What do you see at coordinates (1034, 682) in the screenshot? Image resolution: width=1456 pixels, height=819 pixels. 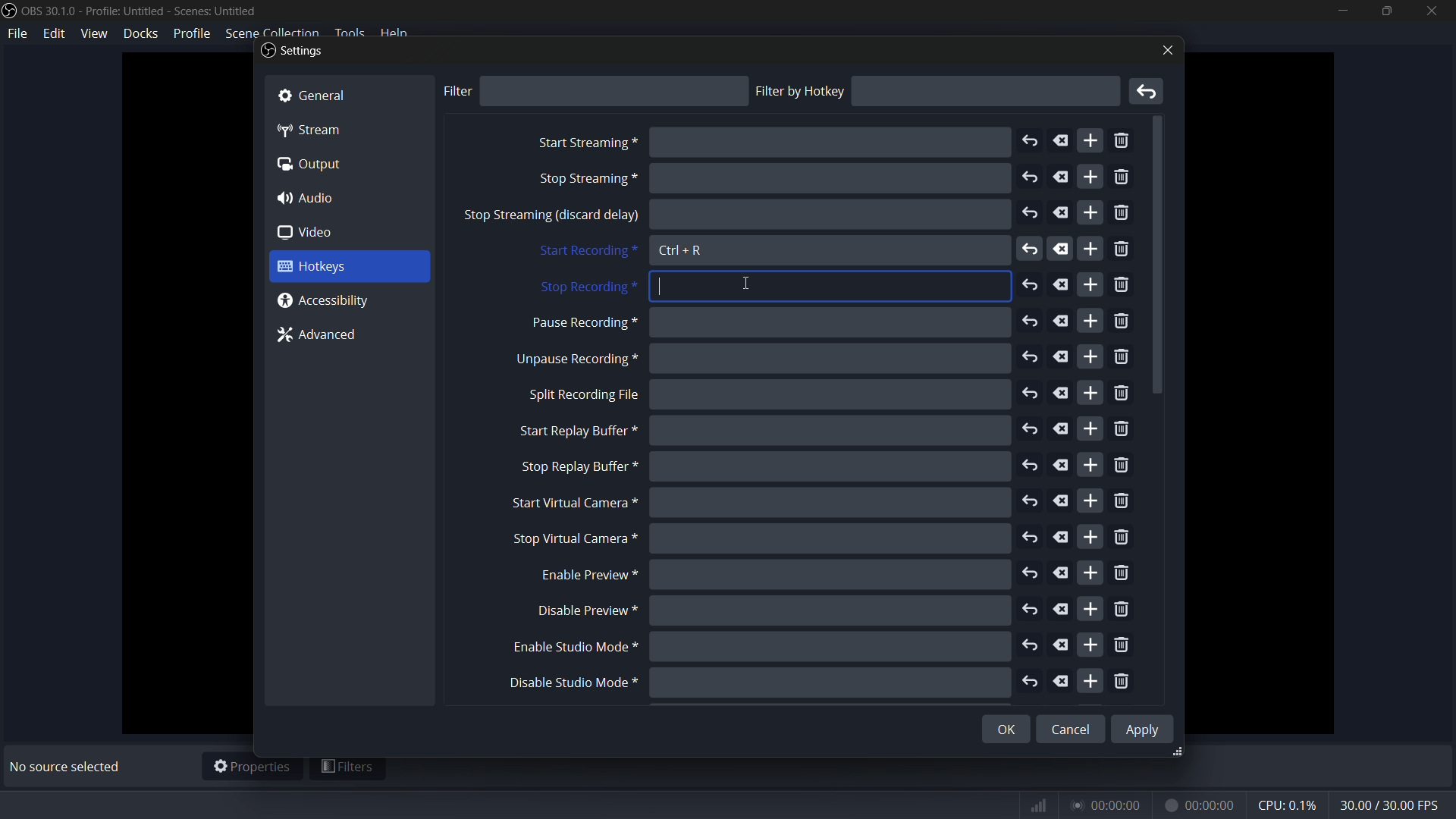 I see `undo` at bounding box center [1034, 682].